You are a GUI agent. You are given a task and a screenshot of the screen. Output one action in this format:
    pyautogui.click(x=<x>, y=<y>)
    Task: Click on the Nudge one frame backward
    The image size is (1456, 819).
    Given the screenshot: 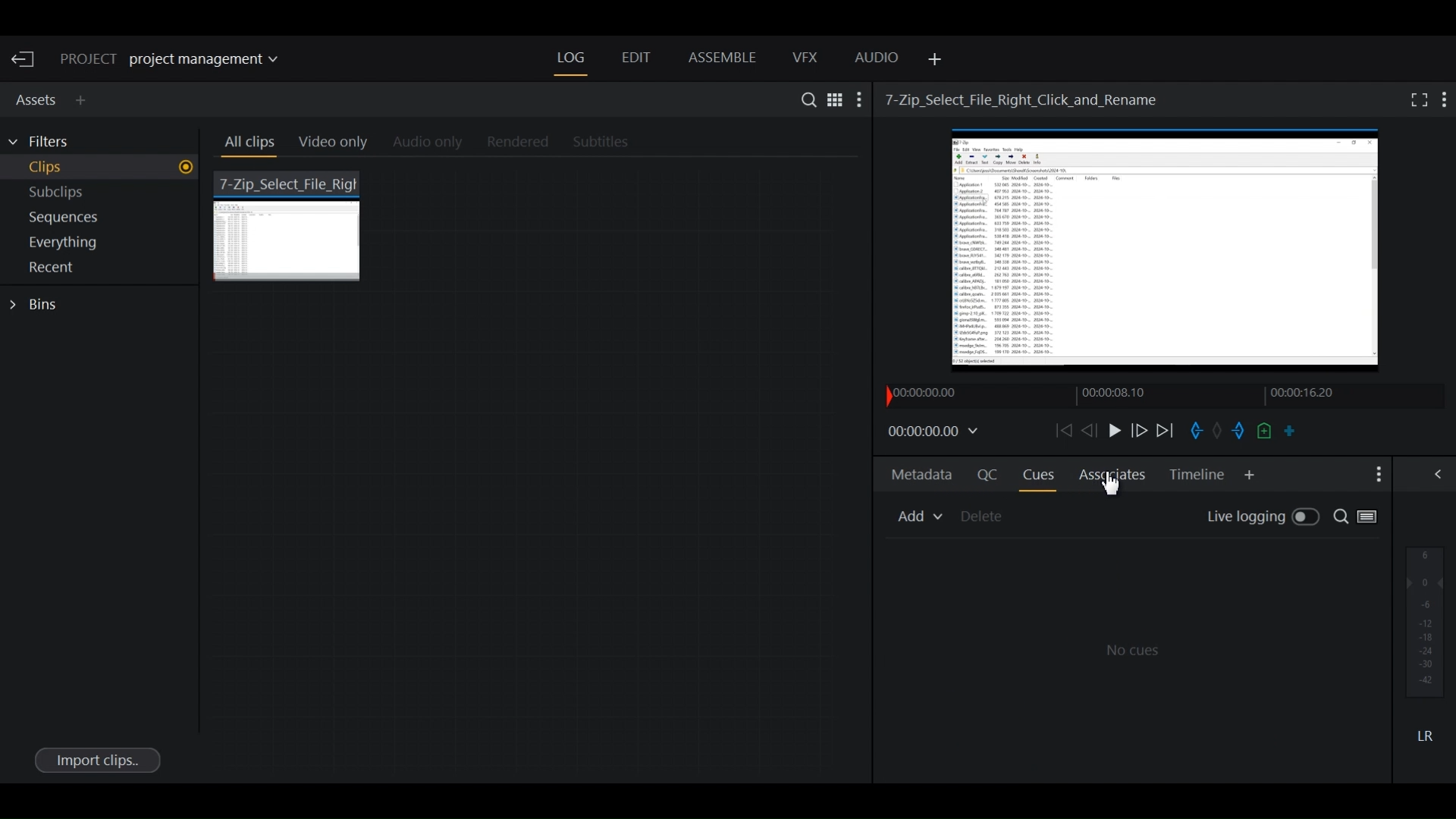 What is the action you would take?
    pyautogui.click(x=1088, y=431)
    